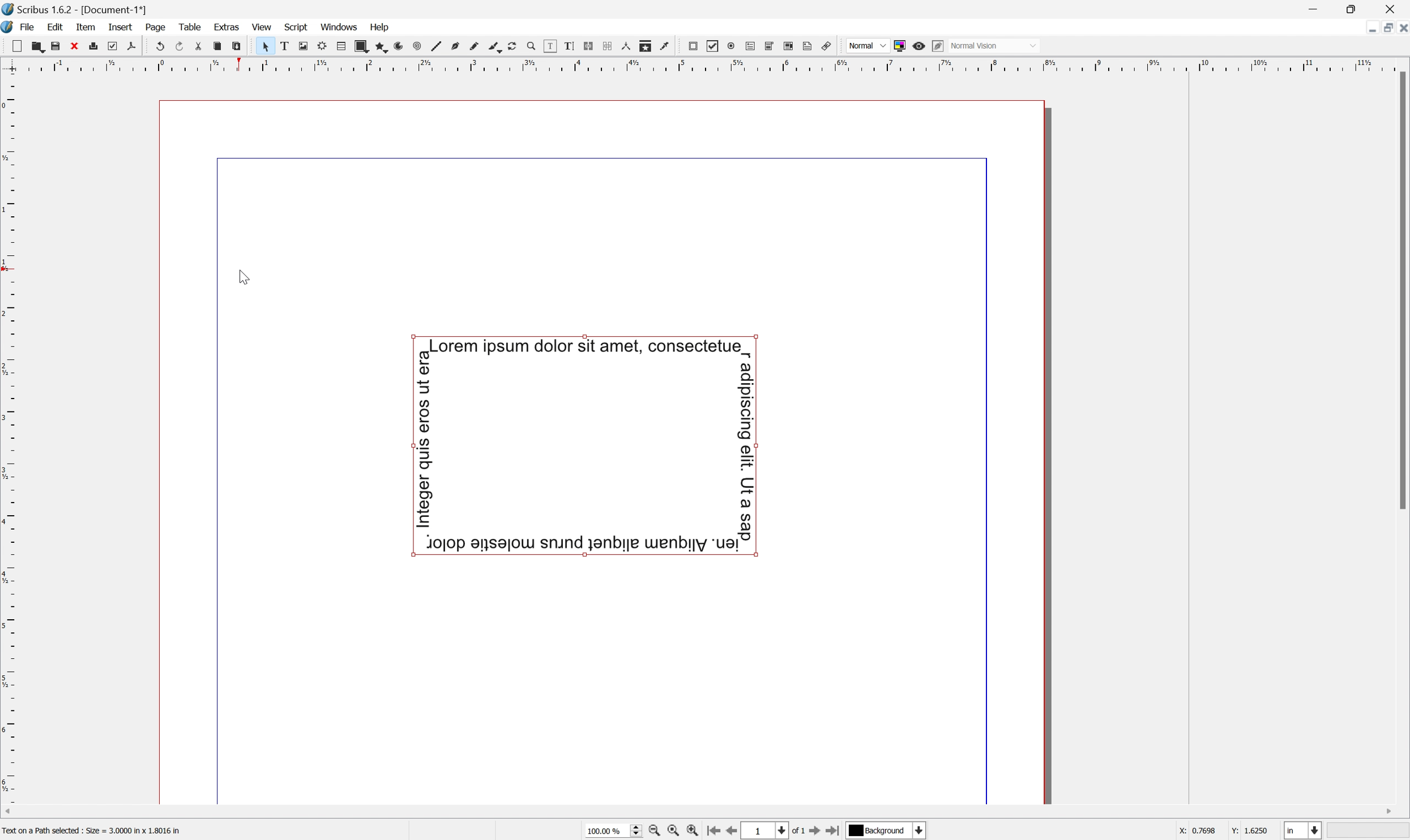 The height and width of the screenshot is (840, 1410). Describe the element at coordinates (296, 25) in the screenshot. I see `Script` at that location.